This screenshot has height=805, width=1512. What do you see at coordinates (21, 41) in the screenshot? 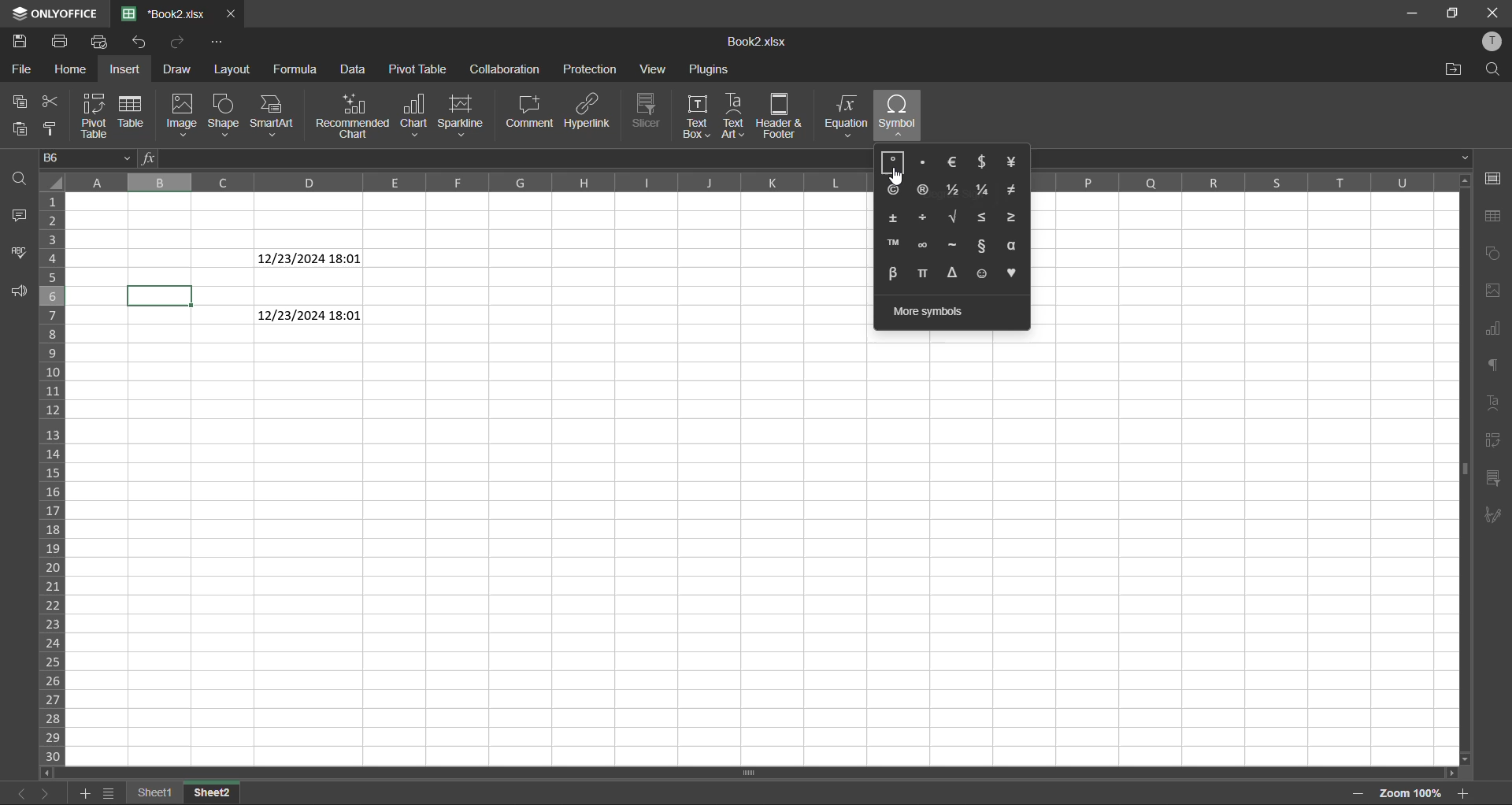
I see `save` at bounding box center [21, 41].